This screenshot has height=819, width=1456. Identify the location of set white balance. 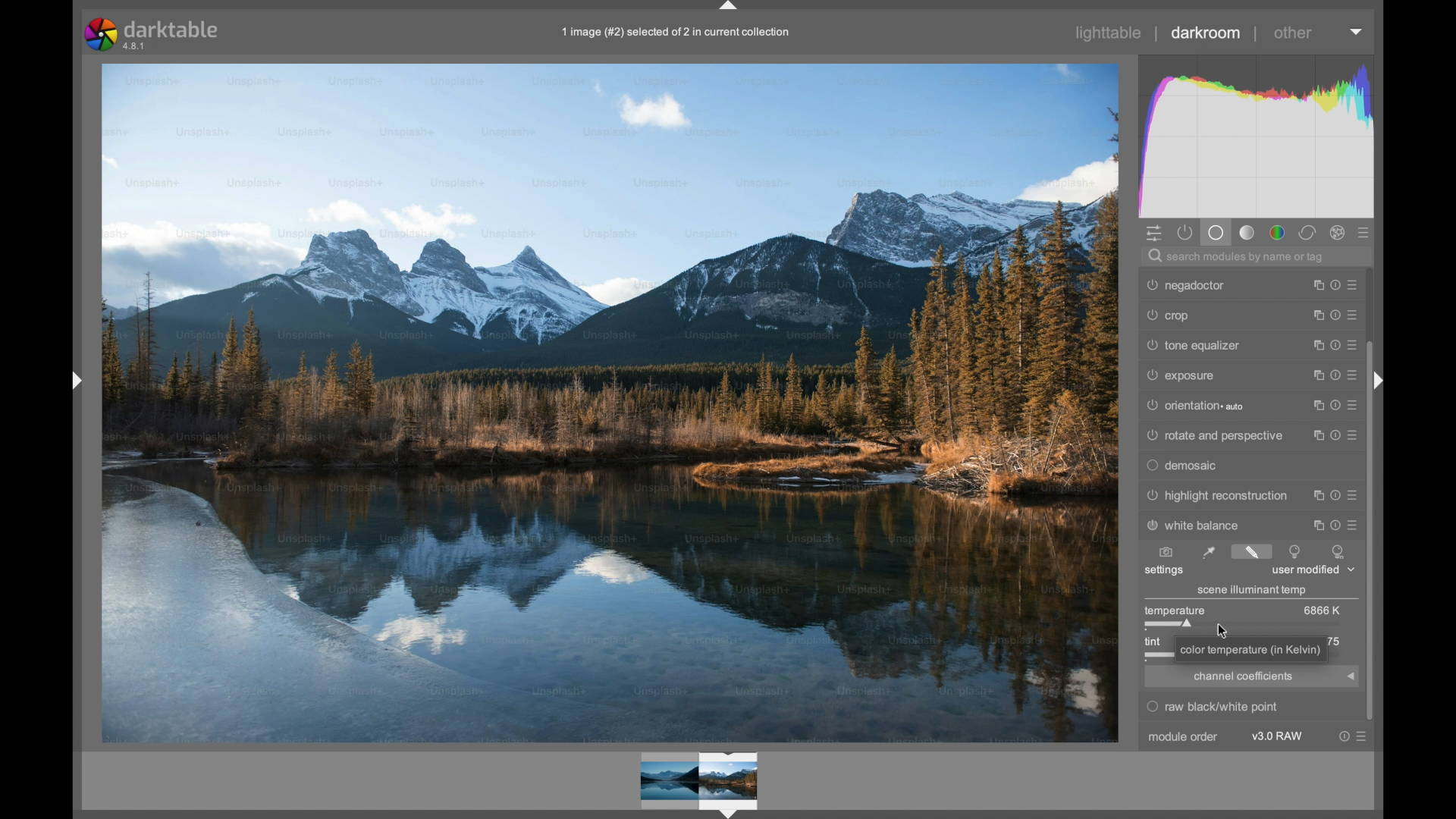
(1338, 550).